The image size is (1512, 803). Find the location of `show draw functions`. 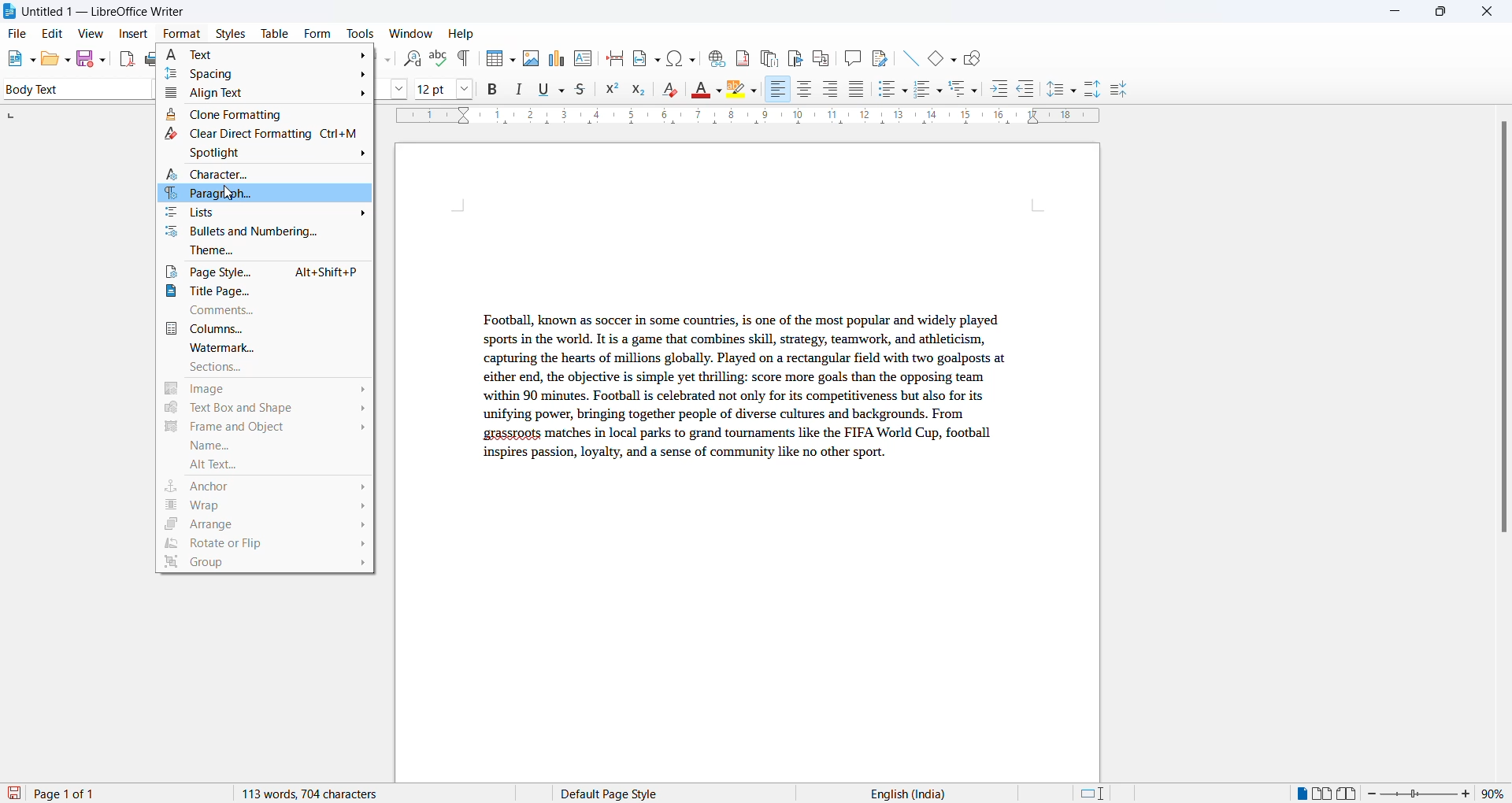

show draw functions is located at coordinates (976, 57).